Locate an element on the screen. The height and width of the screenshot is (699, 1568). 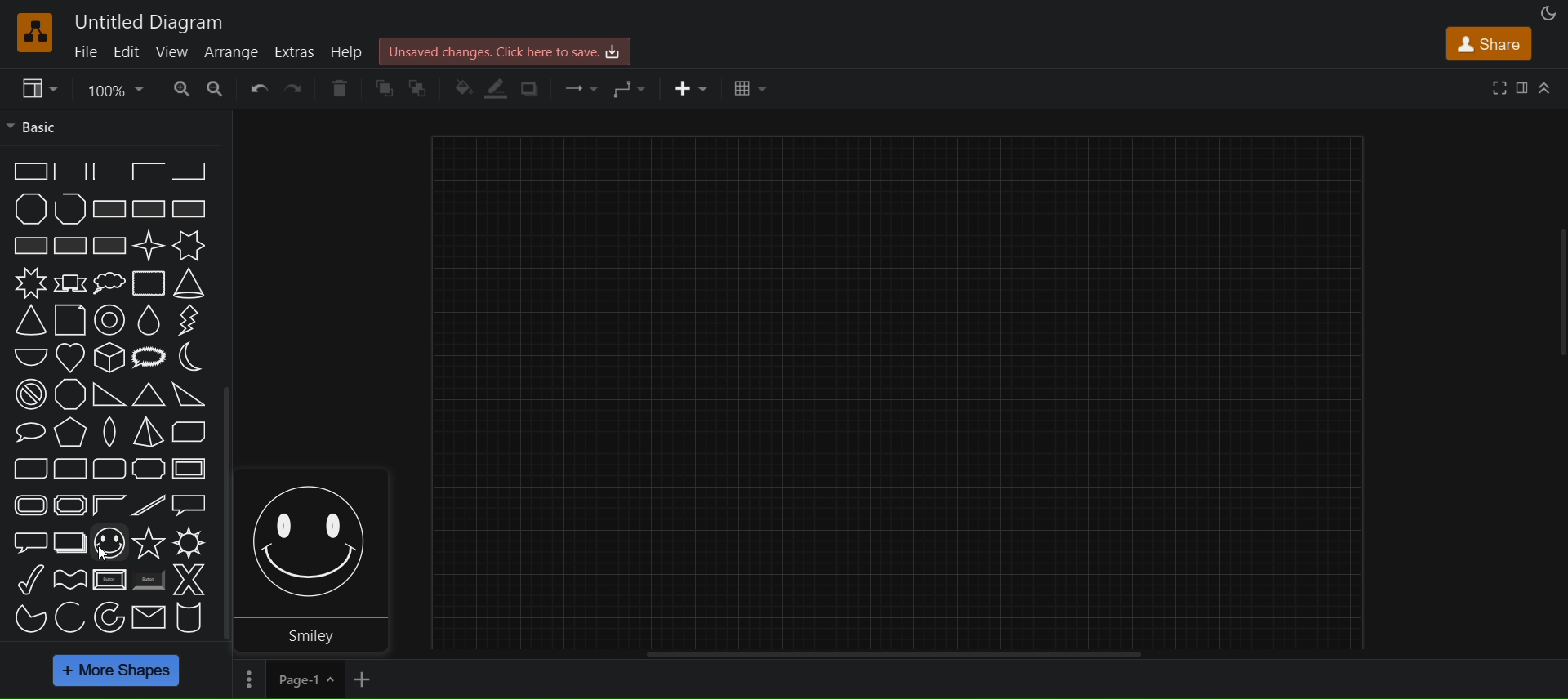
corner rounded rectangle  is located at coordinates (69, 467).